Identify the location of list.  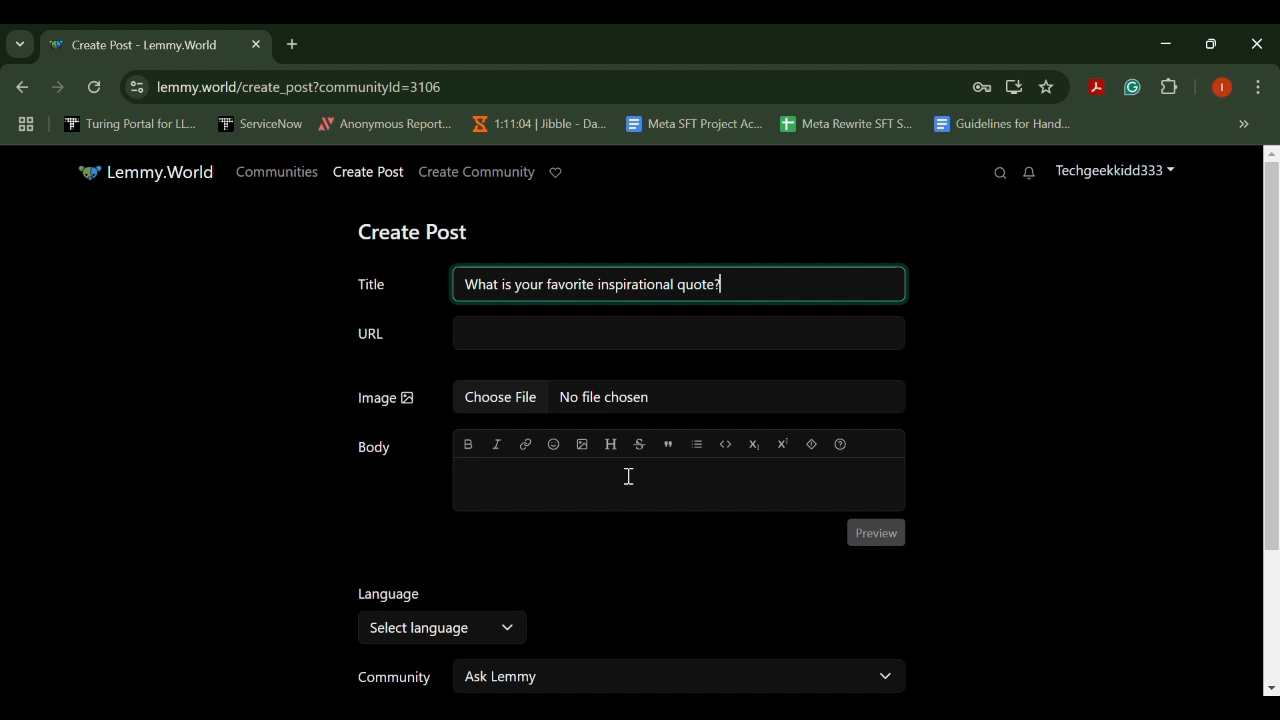
(698, 443).